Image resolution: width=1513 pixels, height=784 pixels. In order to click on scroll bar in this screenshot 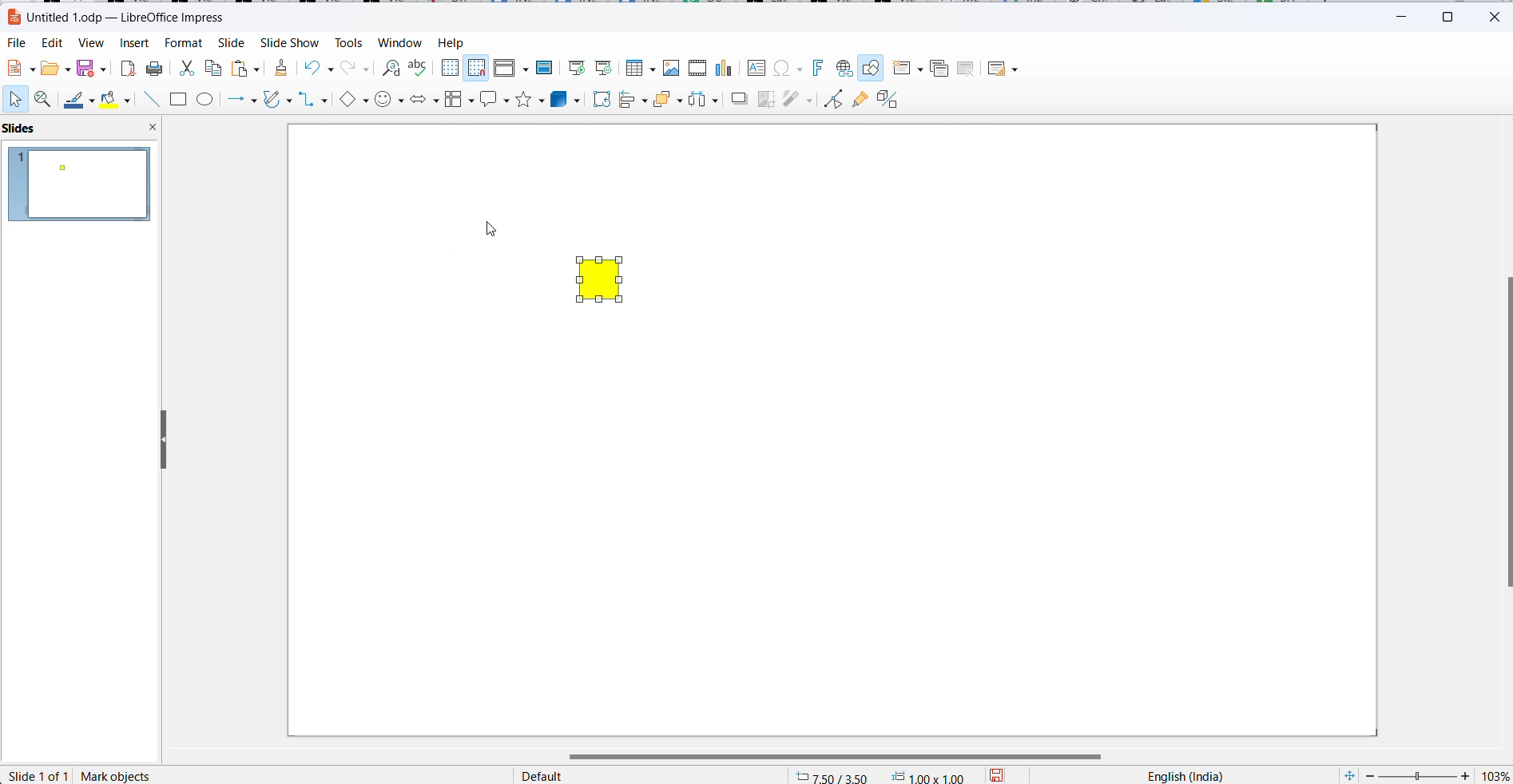, I will do `click(1503, 433)`.